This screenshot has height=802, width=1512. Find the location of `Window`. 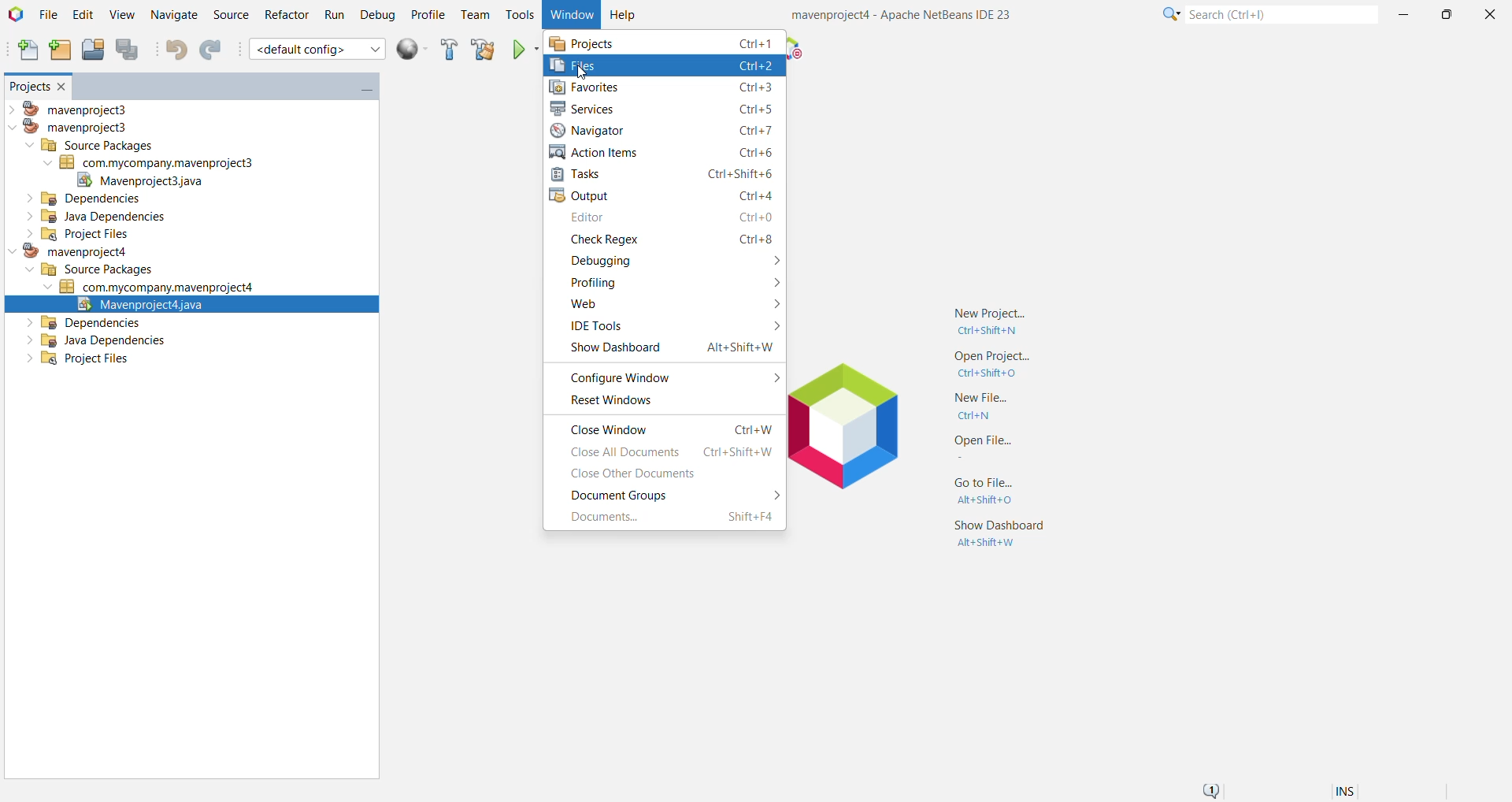

Window is located at coordinates (569, 14).